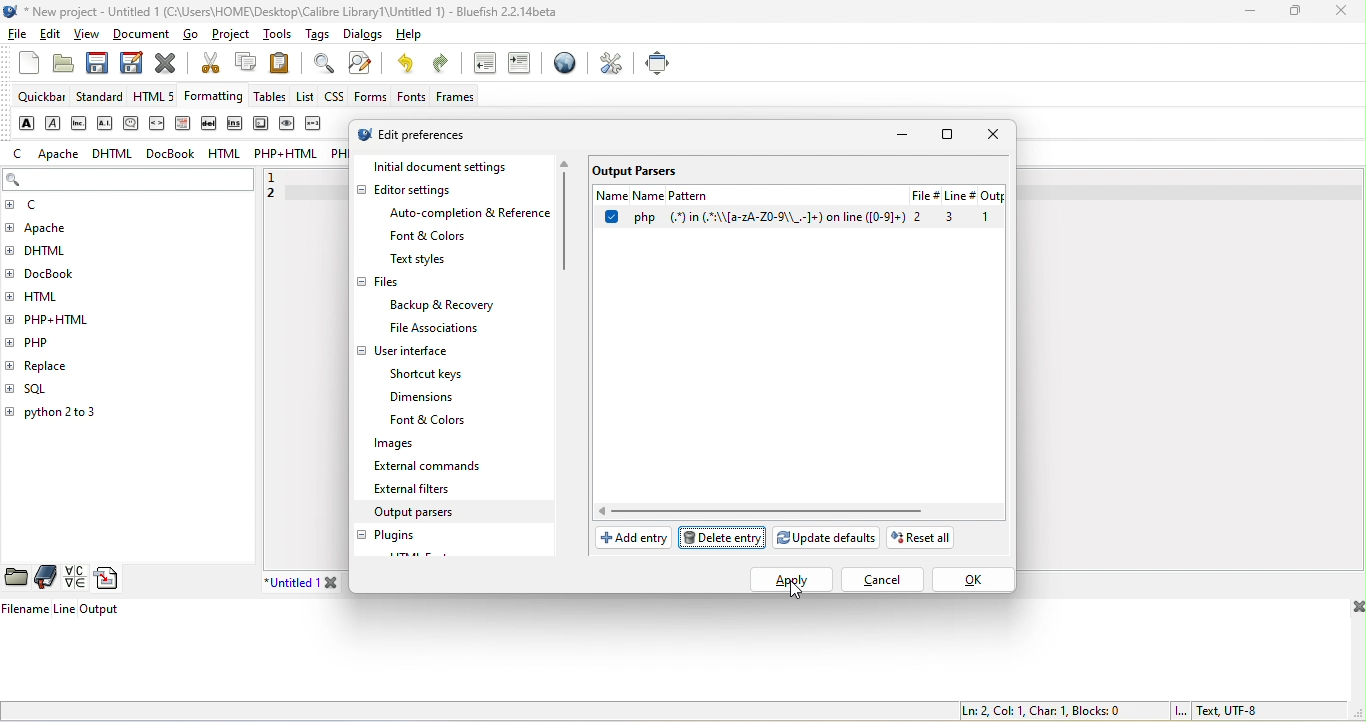 This screenshot has width=1366, height=722. What do you see at coordinates (415, 489) in the screenshot?
I see `external filters` at bounding box center [415, 489].